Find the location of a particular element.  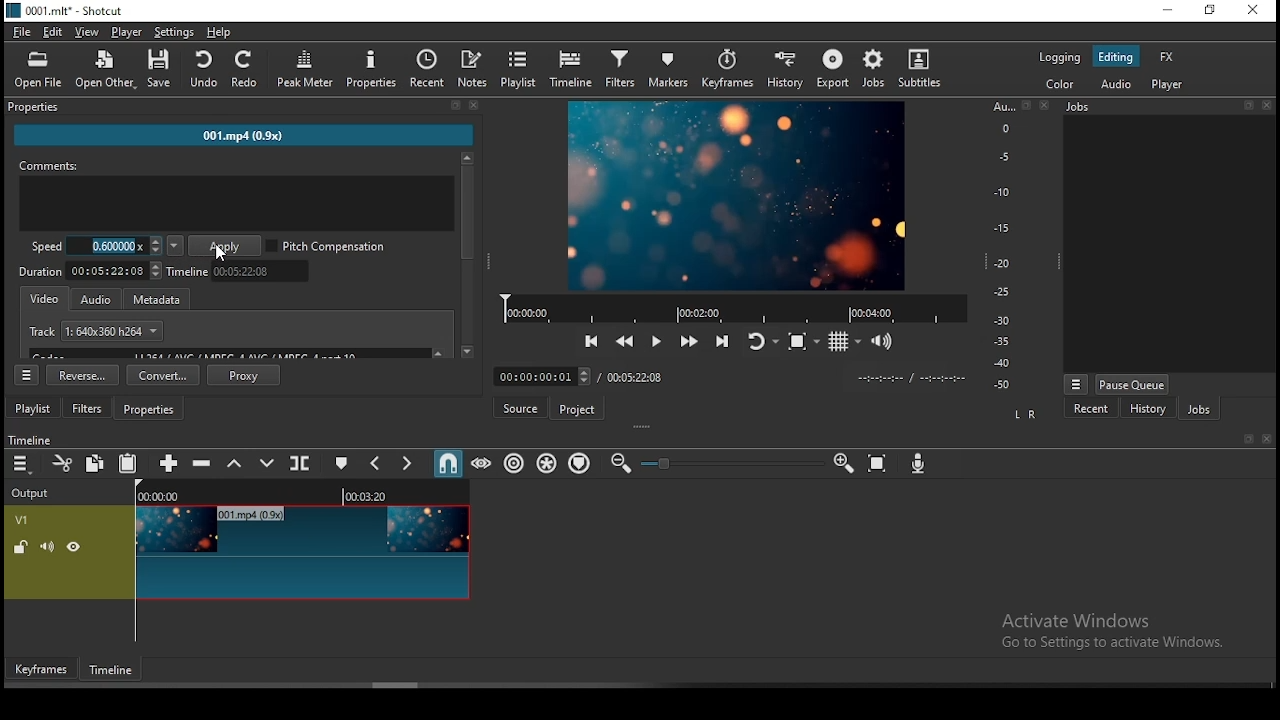

play quickly backward is located at coordinates (627, 339).